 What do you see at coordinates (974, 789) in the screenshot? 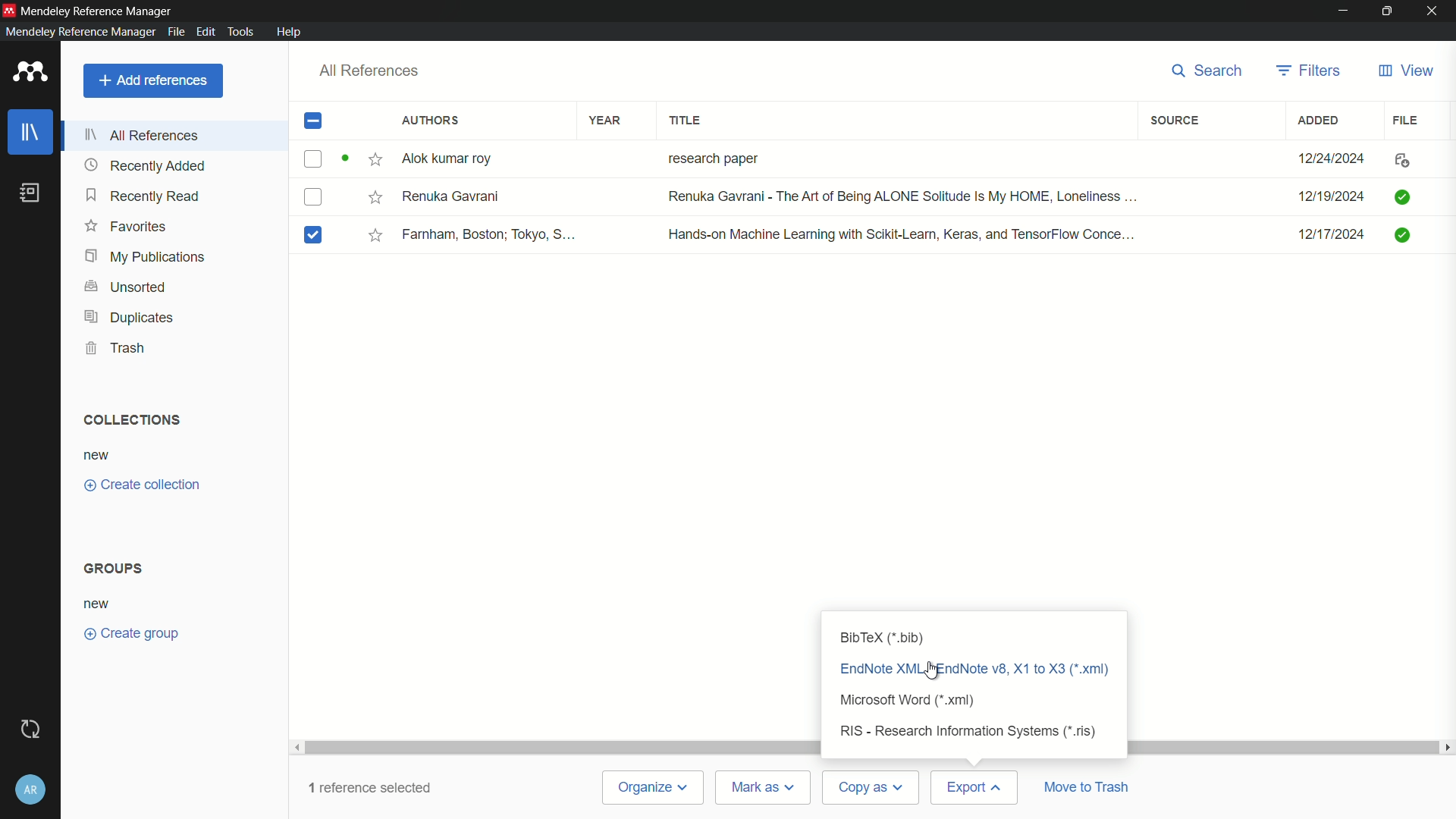
I see `export` at bounding box center [974, 789].